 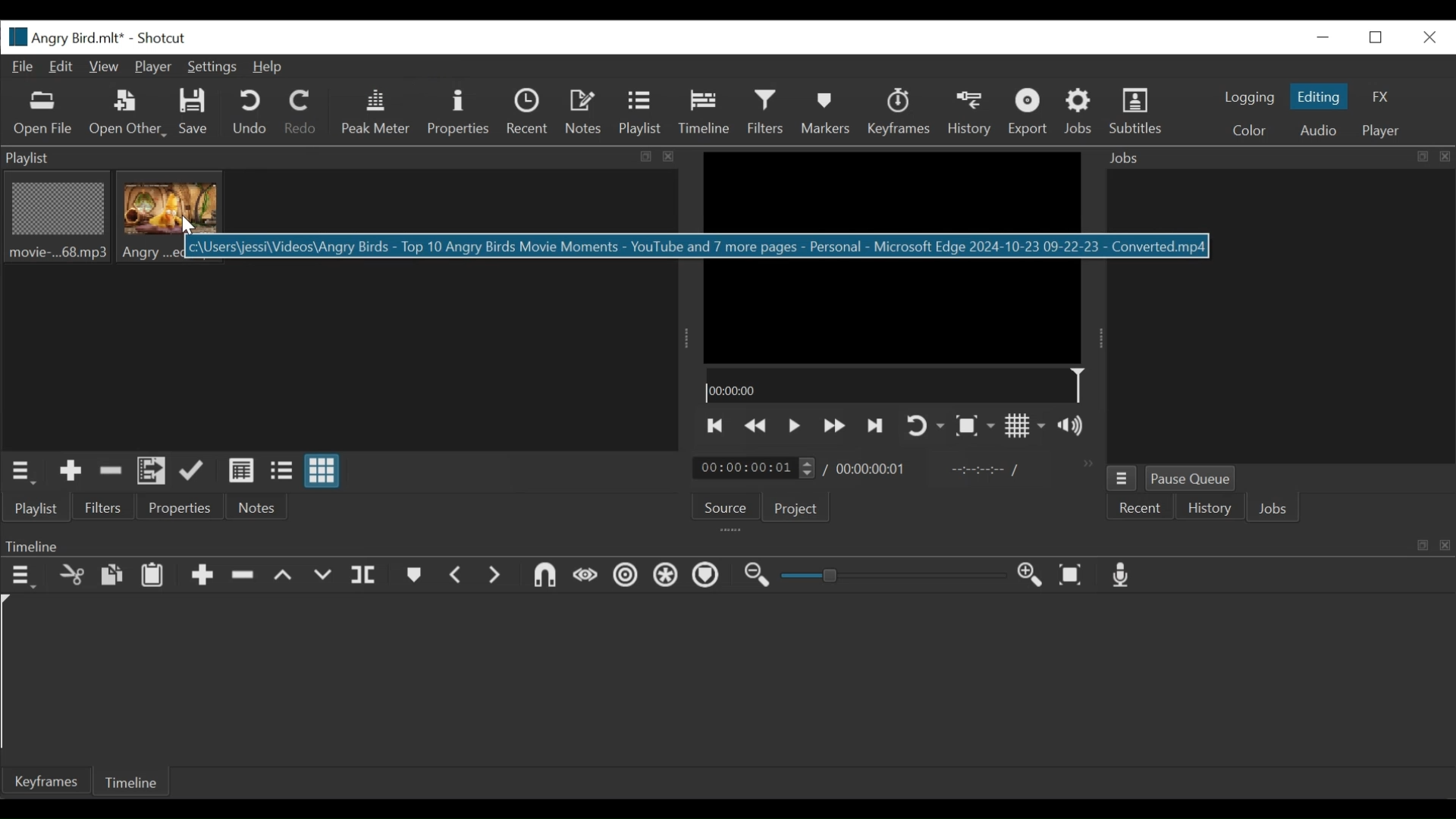 What do you see at coordinates (284, 473) in the screenshot?
I see `View as file` at bounding box center [284, 473].